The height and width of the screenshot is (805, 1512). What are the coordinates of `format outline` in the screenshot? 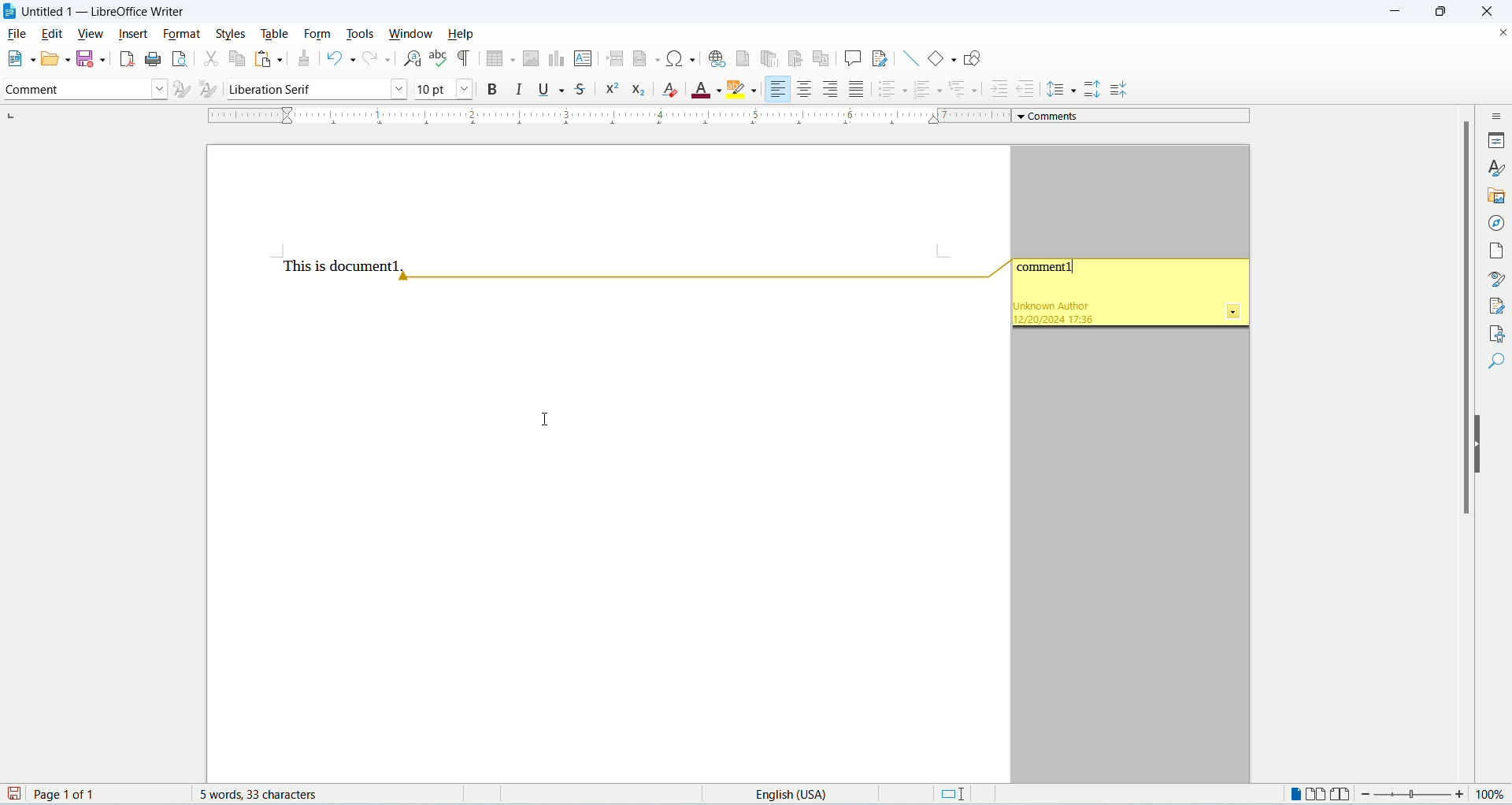 It's located at (963, 87).